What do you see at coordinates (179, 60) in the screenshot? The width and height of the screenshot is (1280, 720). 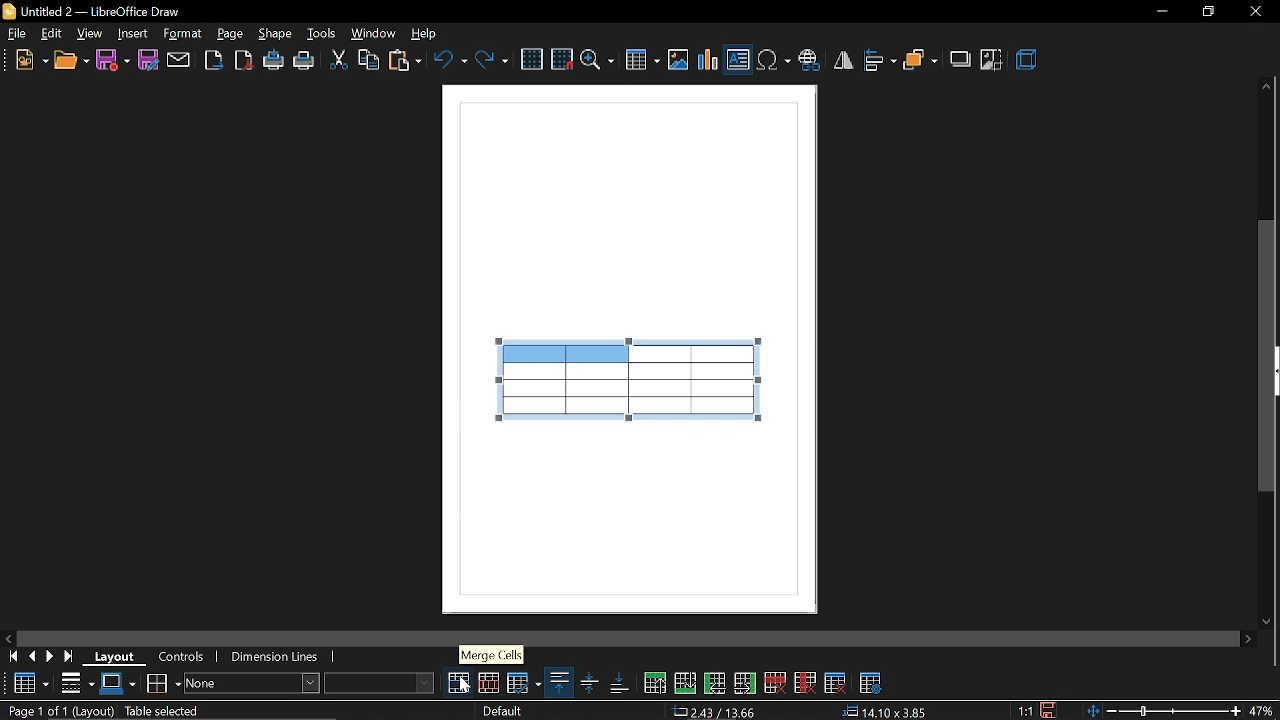 I see `attach` at bounding box center [179, 60].